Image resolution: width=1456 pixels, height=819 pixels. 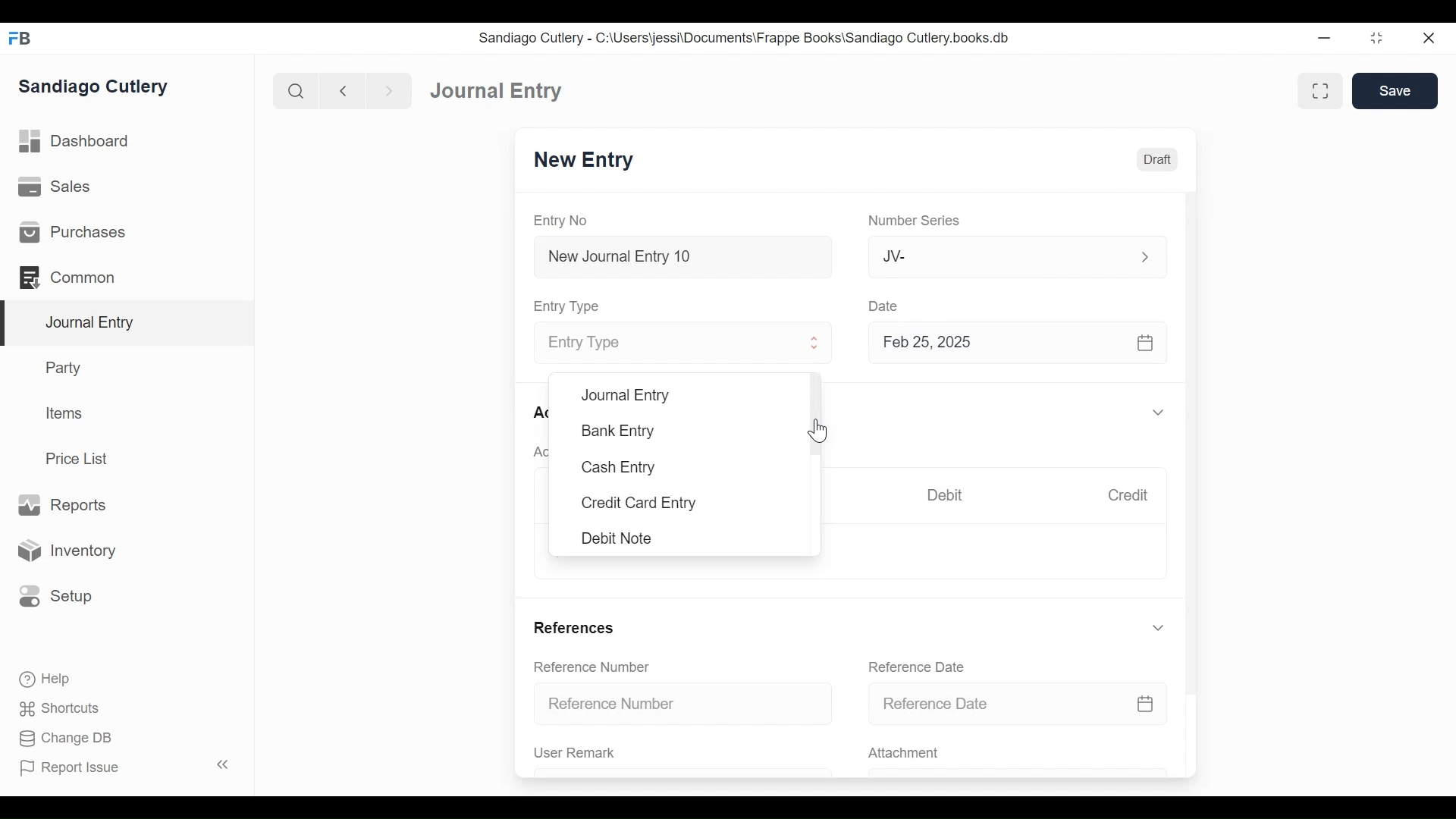 I want to click on Vertical scroll bar, so click(x=820, y=416).